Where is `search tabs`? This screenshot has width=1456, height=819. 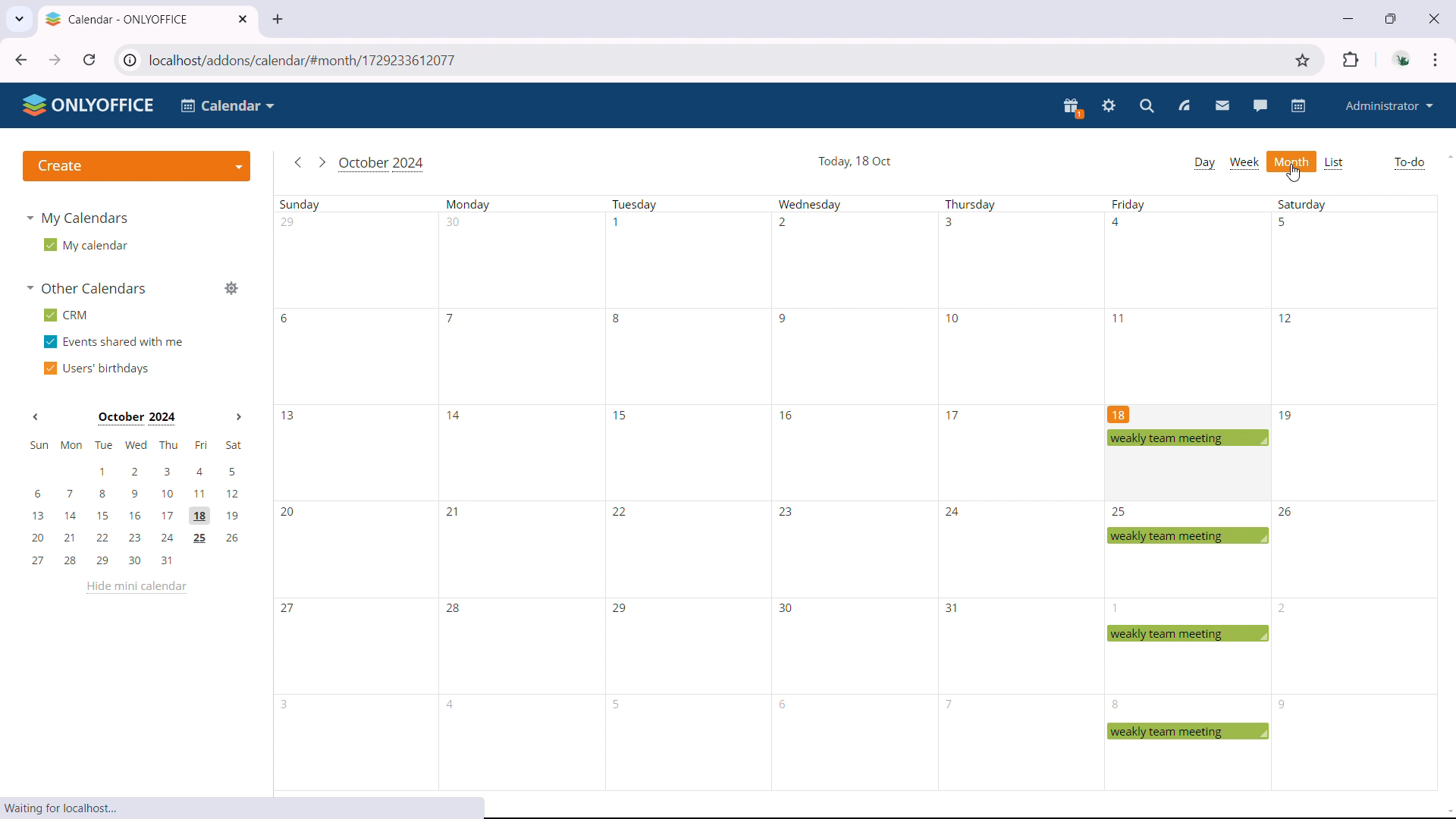 search tabs is located at coordinates (18, 19).